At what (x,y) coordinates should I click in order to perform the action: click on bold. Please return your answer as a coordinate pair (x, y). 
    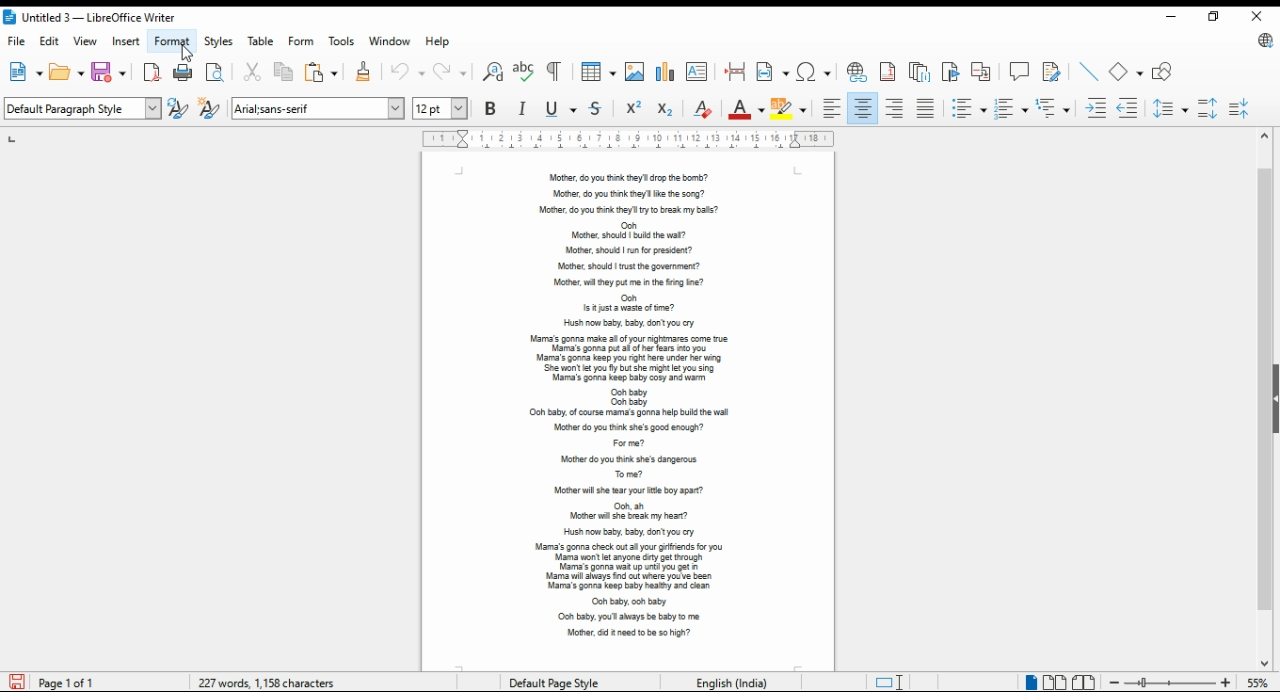
    Looking at the image, I should click on (493, 108).